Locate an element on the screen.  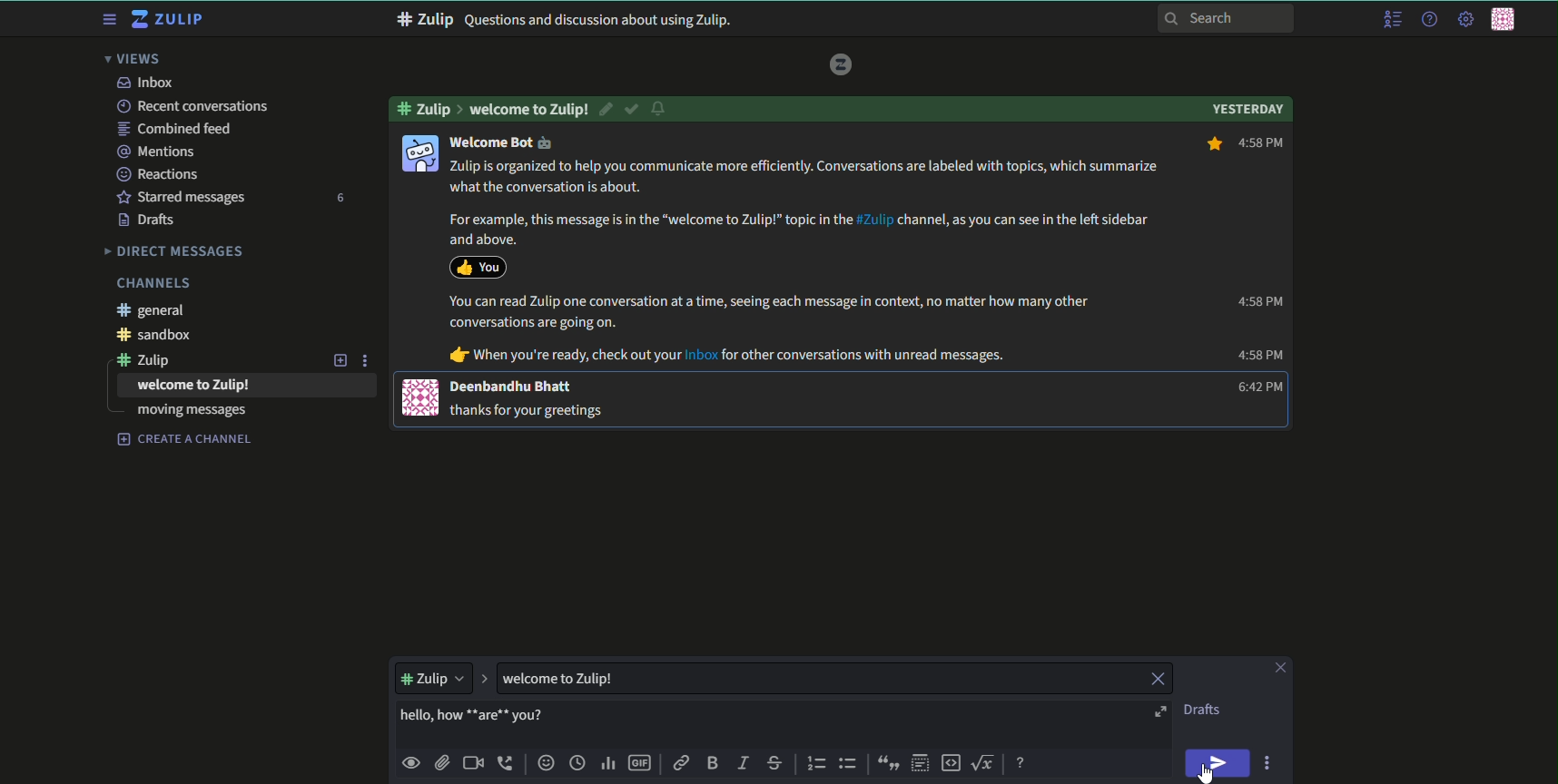
textbox is located at coordinates (580, 678).